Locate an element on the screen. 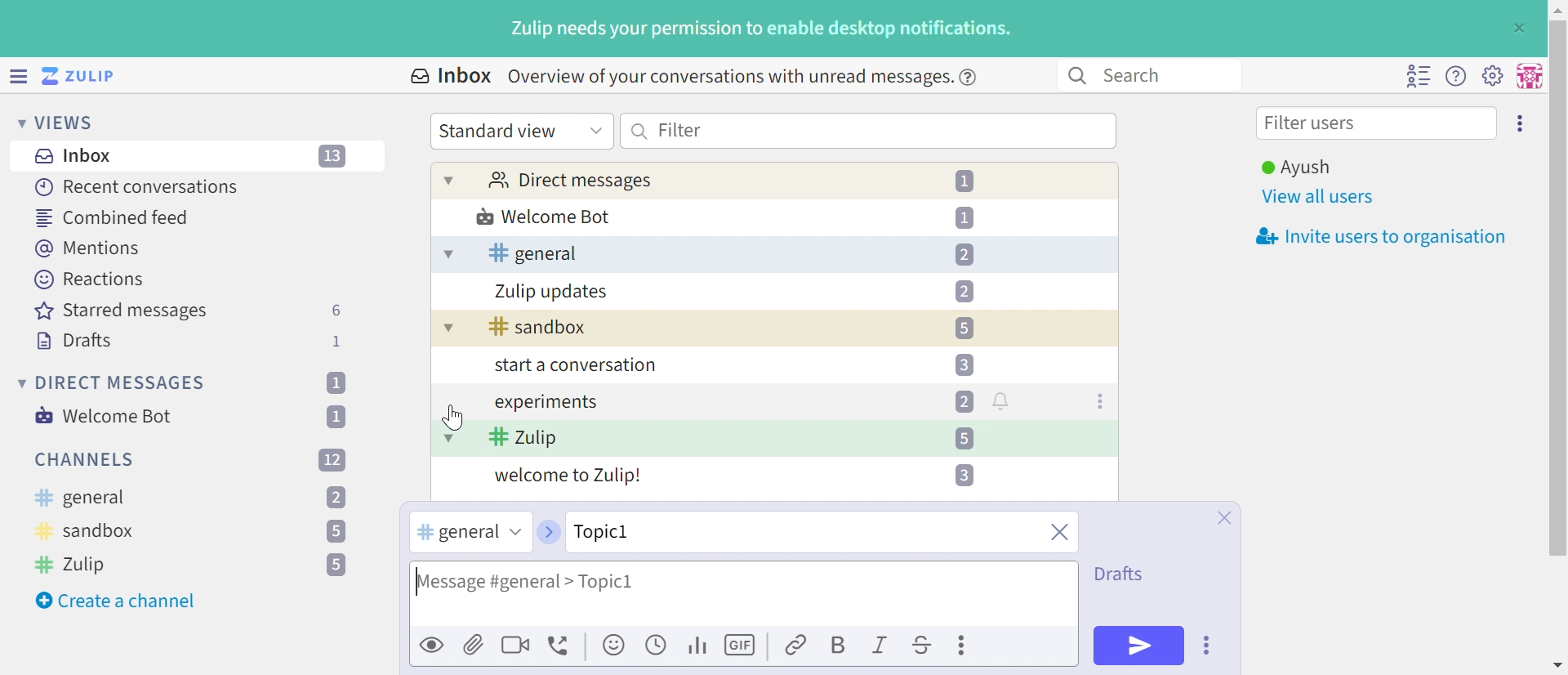  Ayush is located at coordinates (1294, 168).